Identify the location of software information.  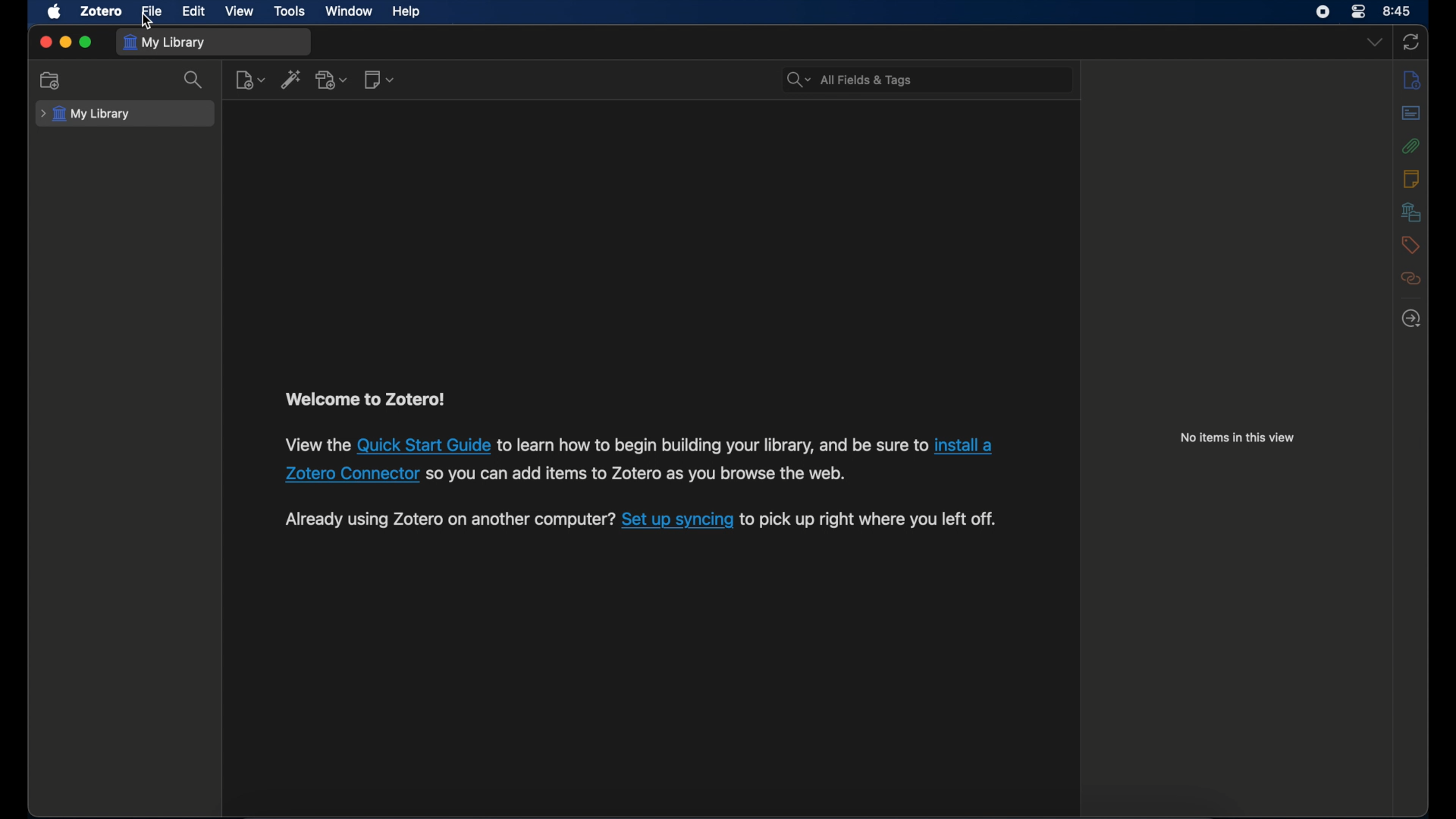
(314, 444).